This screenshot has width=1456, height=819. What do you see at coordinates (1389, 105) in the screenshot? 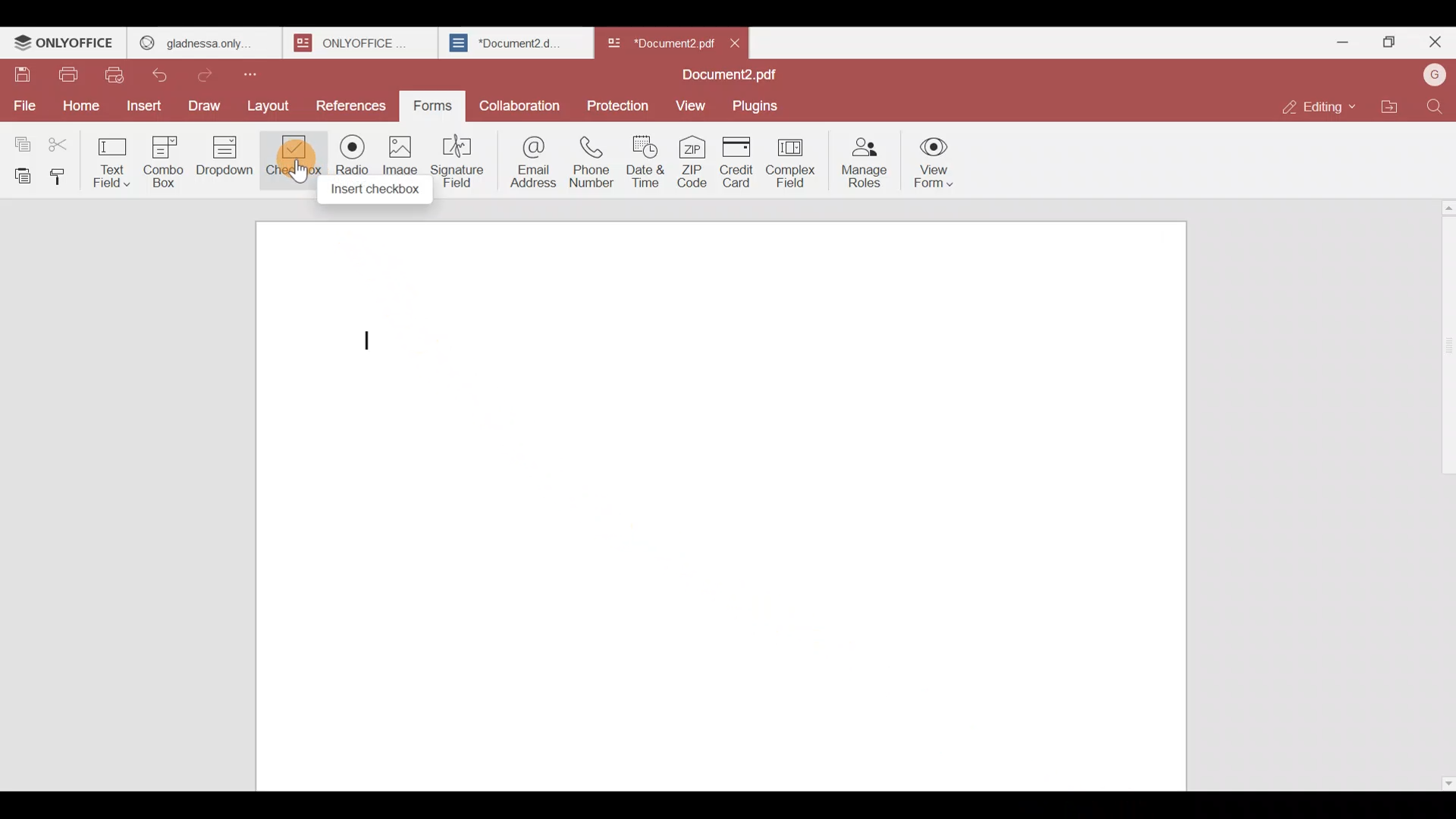
I see `Open file location` at bounding box center [1389, 105].